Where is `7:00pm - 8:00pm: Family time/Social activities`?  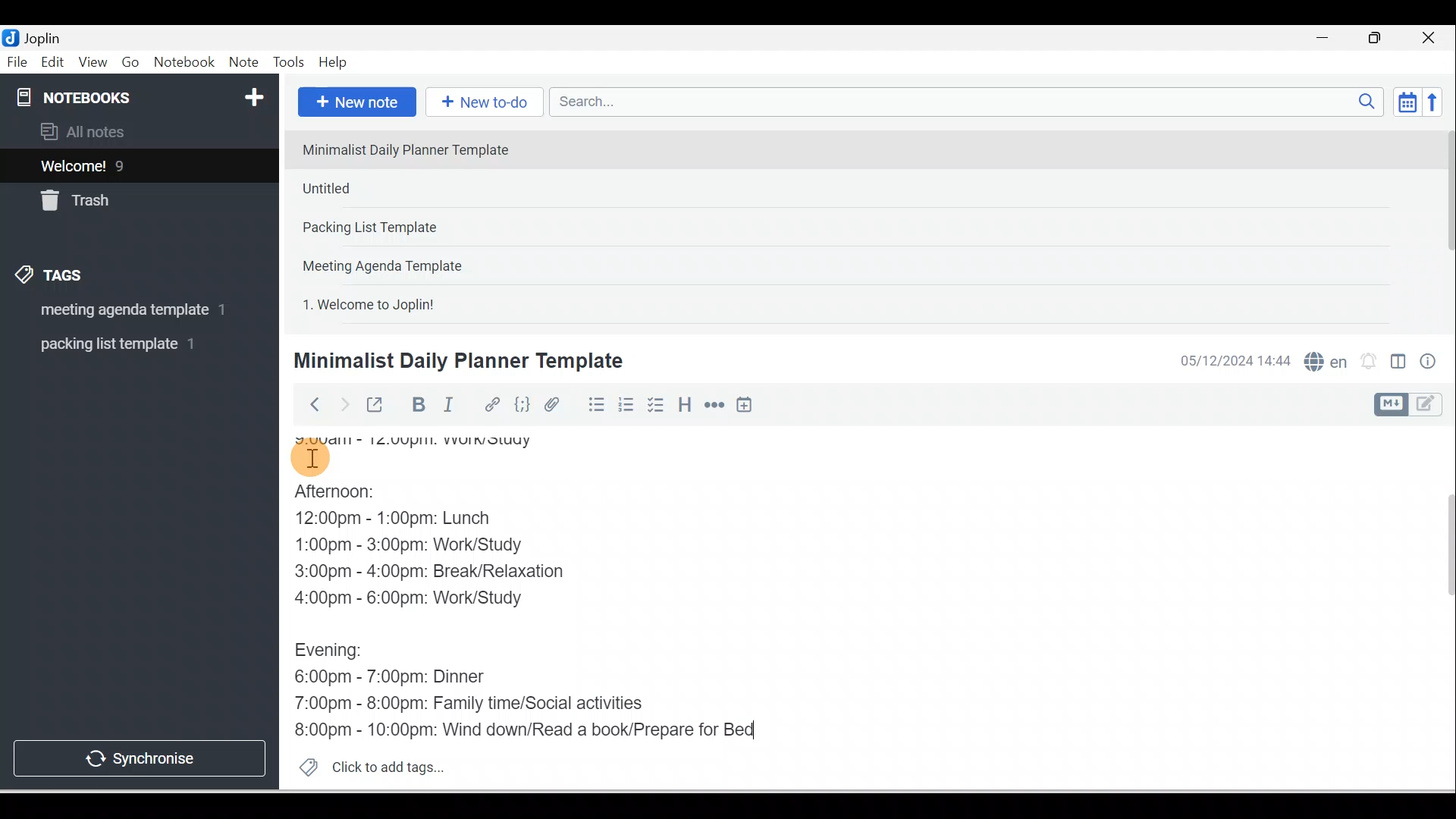 7:00pm - 8:00pm: Family time/Social activities is located at coordinates (480, 704).